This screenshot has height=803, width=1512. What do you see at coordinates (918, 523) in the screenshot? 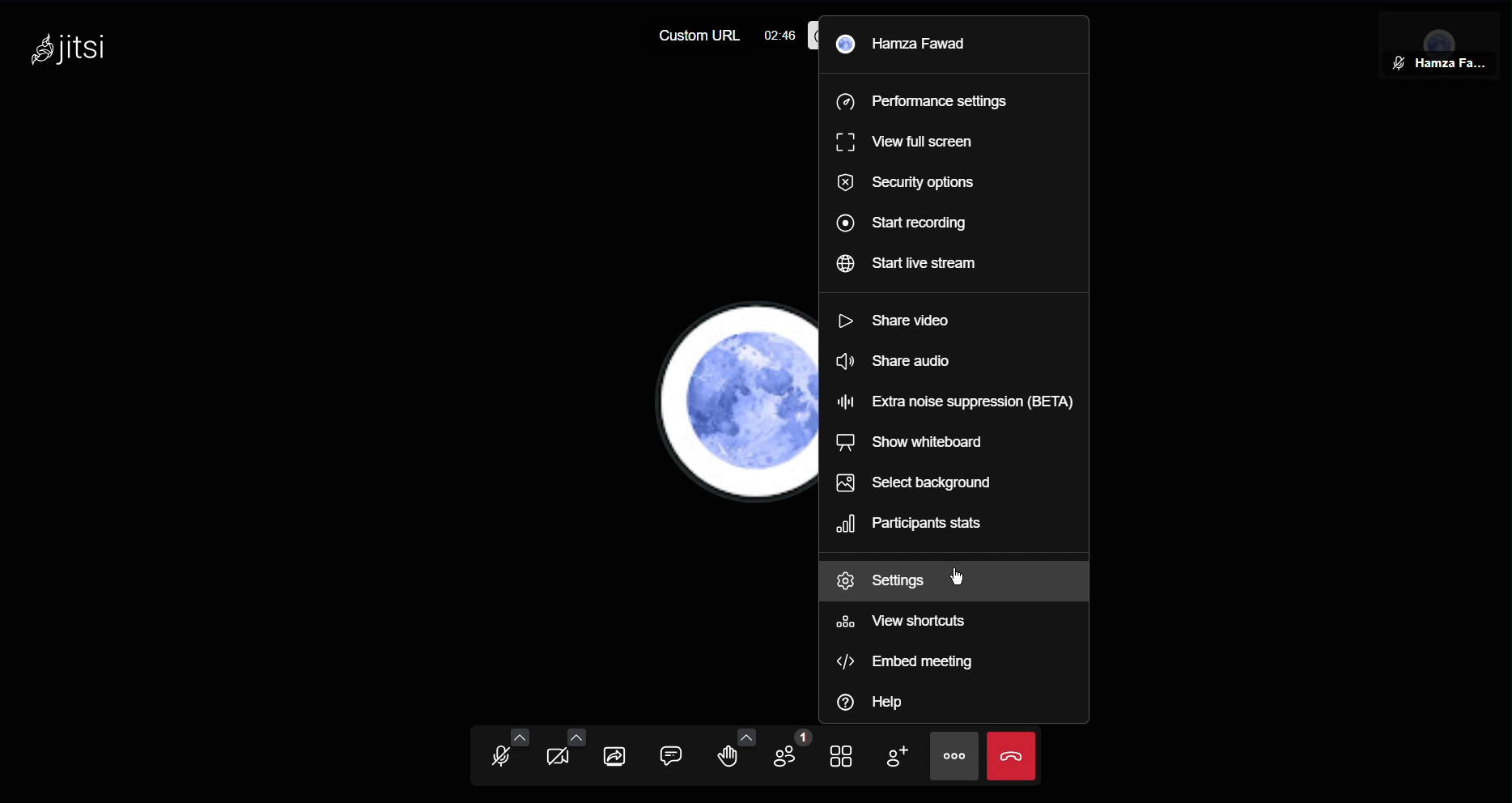
I see `Participants stats` at bounding box center [918, 523].